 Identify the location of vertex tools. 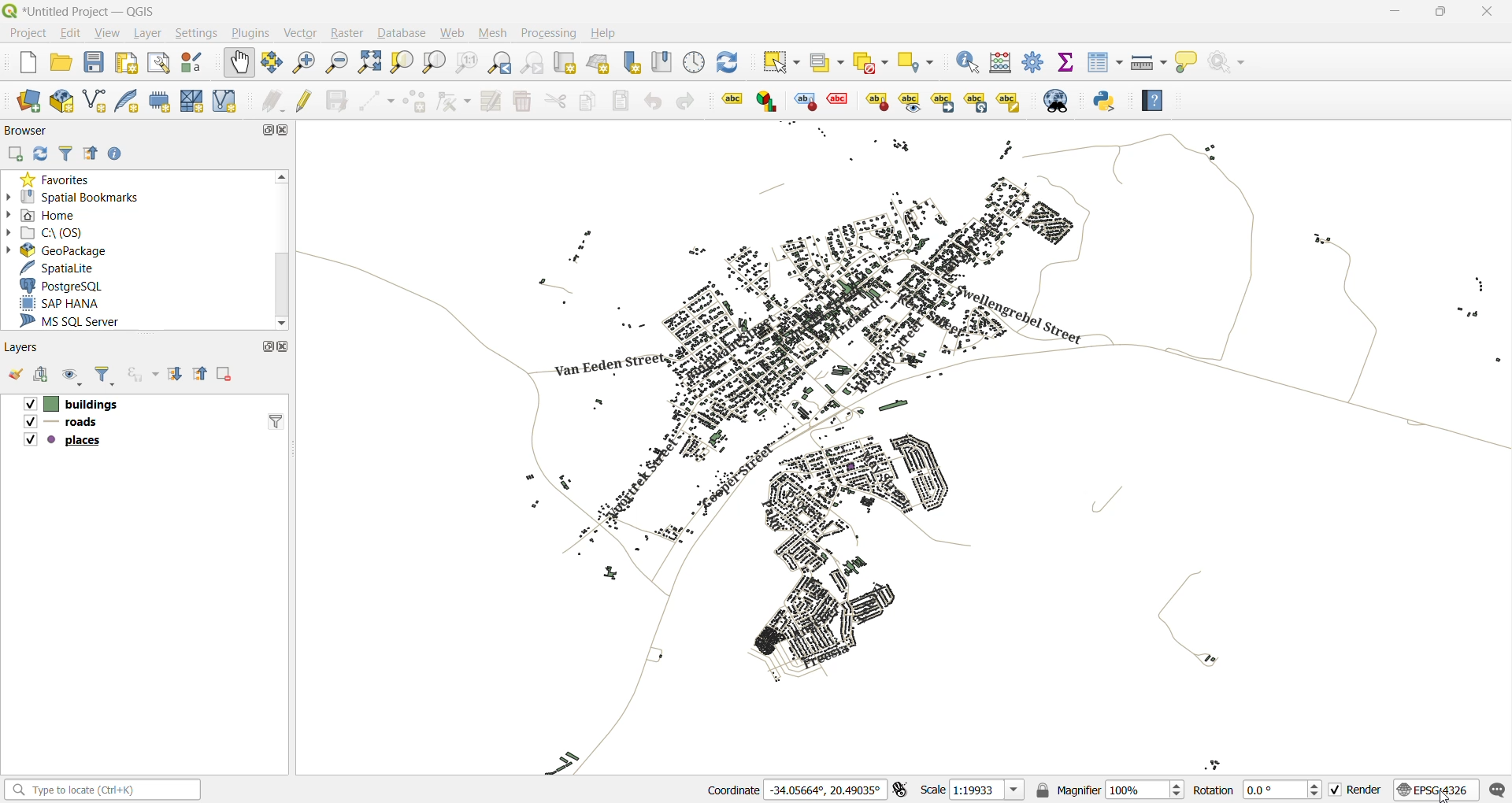
(454, 101).